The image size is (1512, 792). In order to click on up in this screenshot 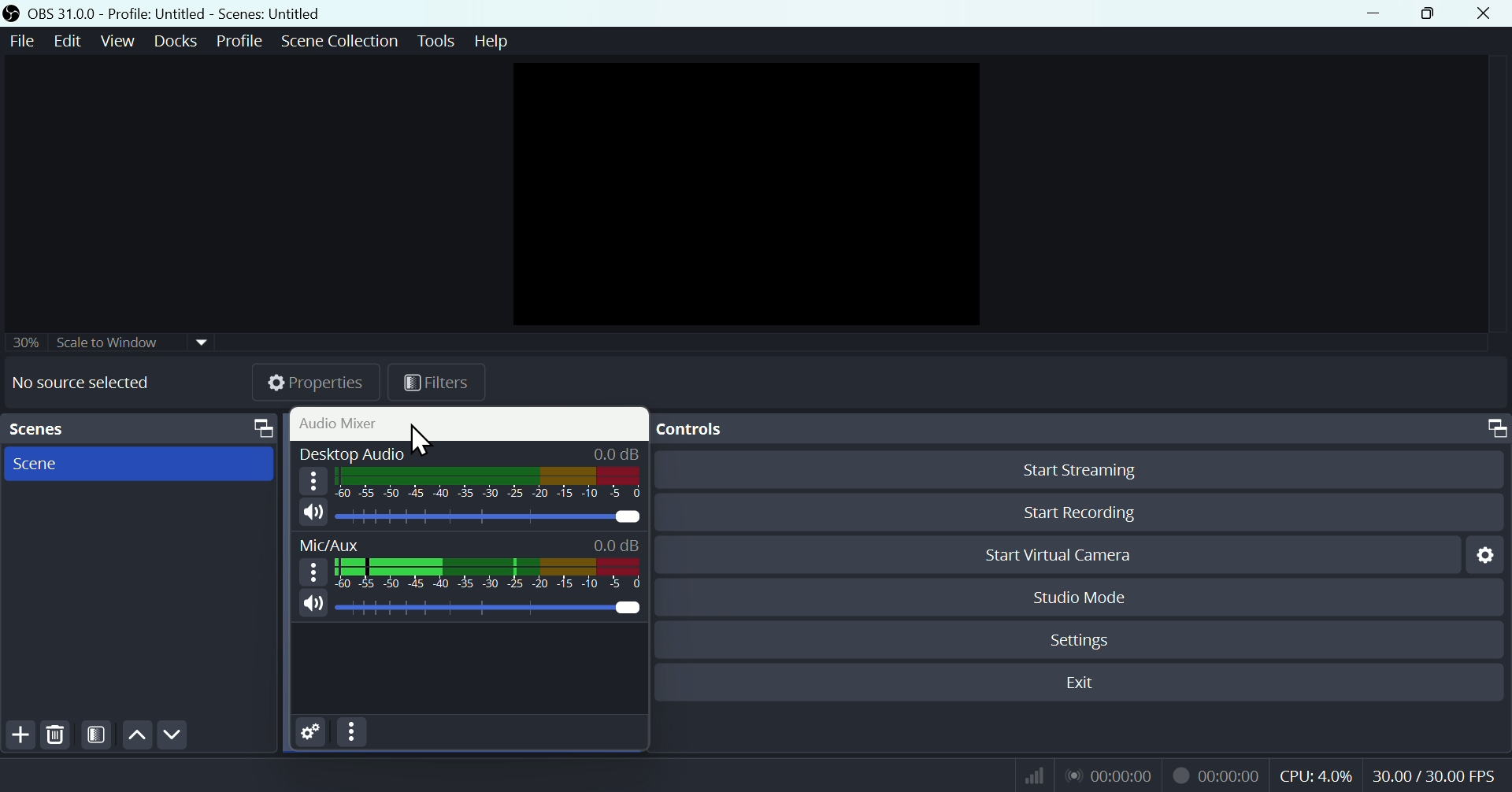, I will do `click(136, 734)`.